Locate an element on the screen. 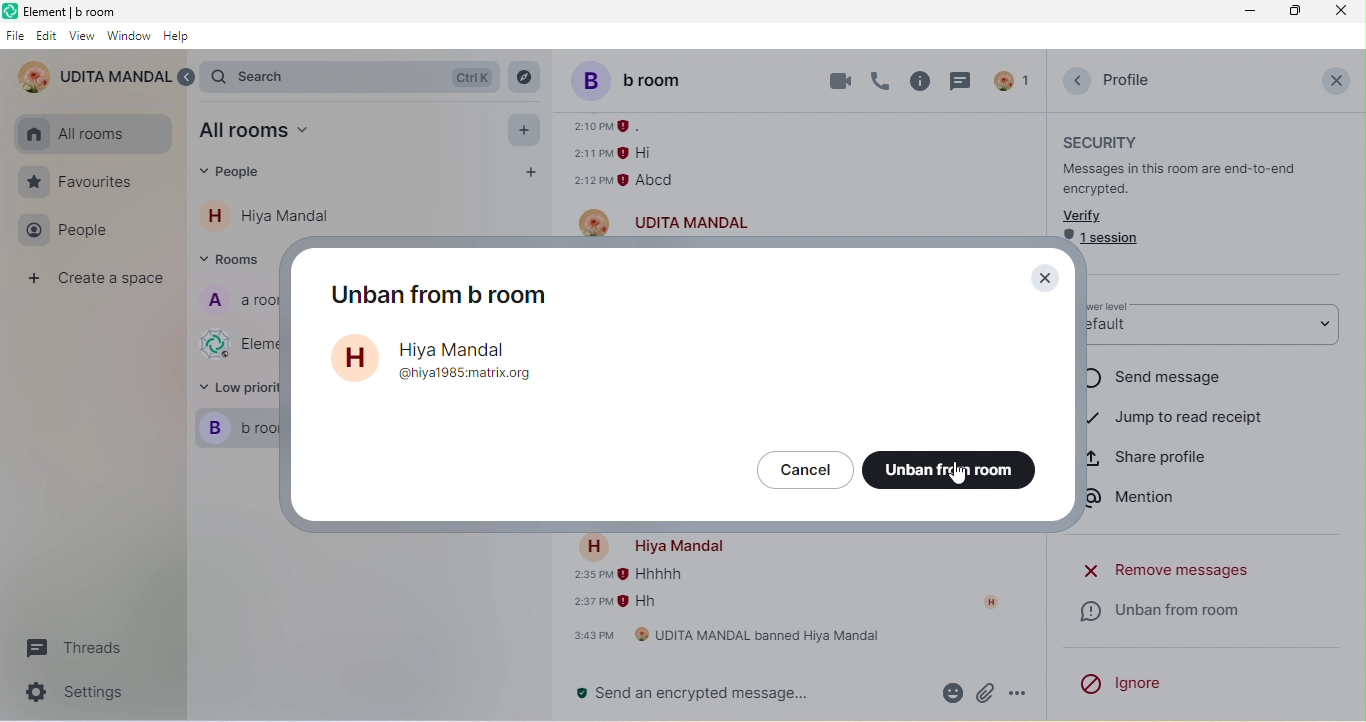 This screenshot has width=1366, height=722. verify is located at coordinates (1089, 216).